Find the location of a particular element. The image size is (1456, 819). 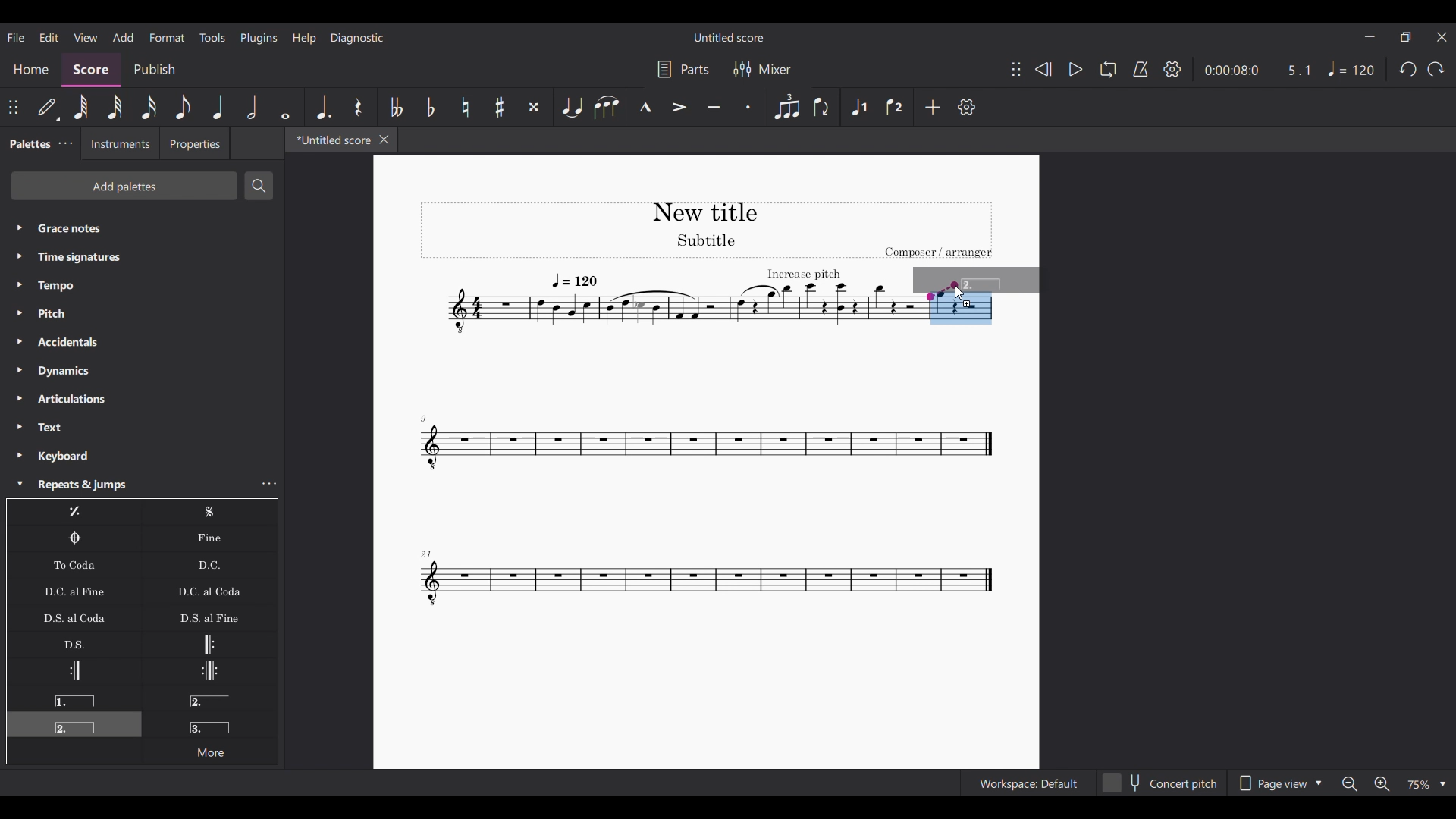

Terza volta is located at coordinates (210, 723).